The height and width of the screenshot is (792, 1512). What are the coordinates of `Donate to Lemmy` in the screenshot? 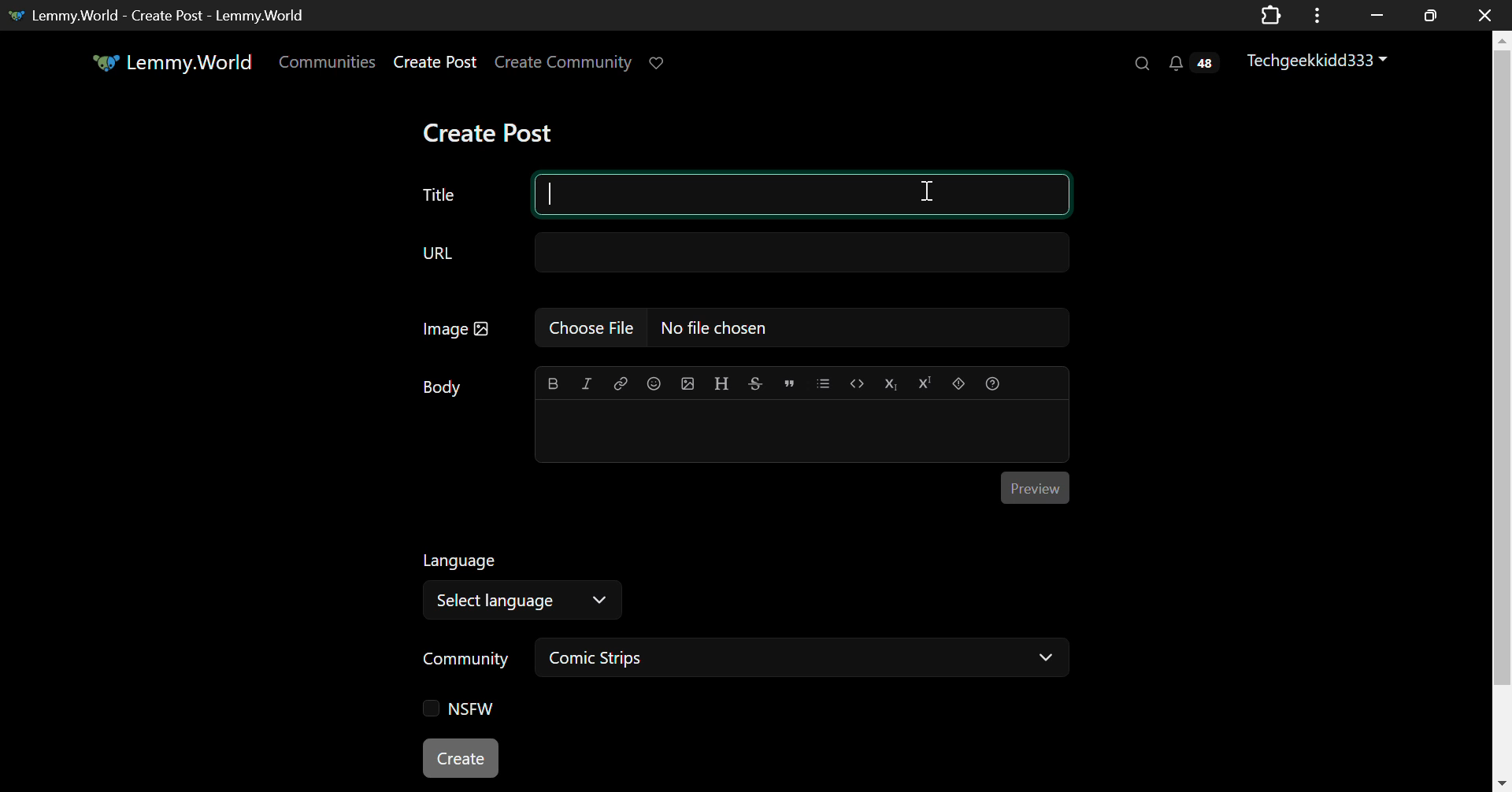 It's located at (658, 63).